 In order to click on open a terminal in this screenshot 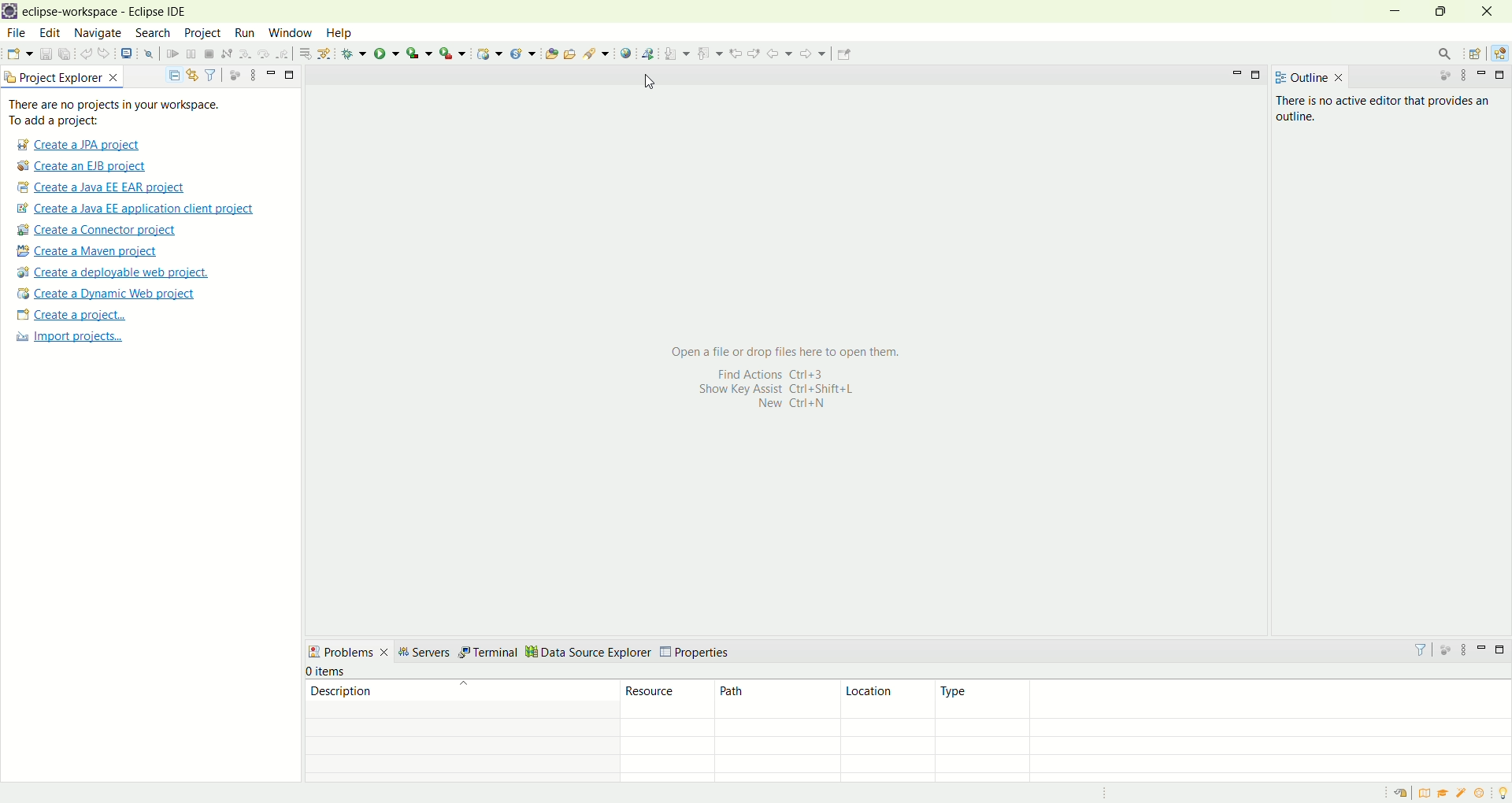, I will do `click(125, 54)`.